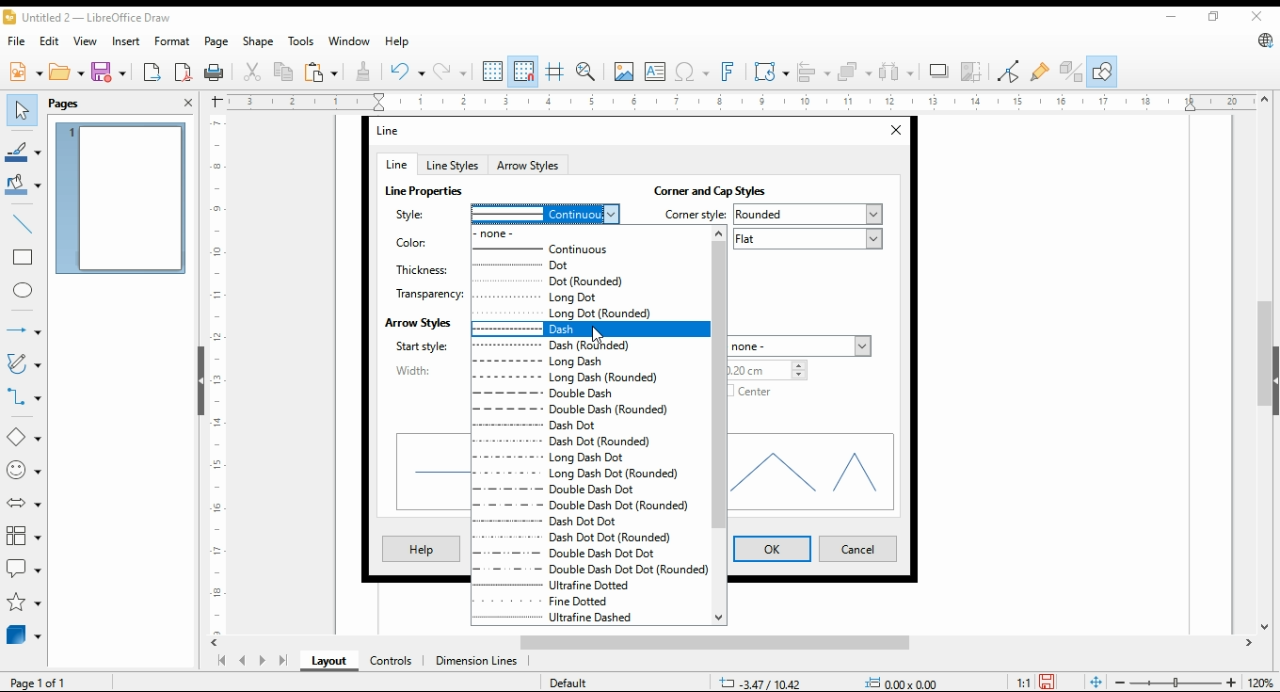 The width and height of the screenshot is (1280, 692). I want to click on stars and banners, so click(24, 602).